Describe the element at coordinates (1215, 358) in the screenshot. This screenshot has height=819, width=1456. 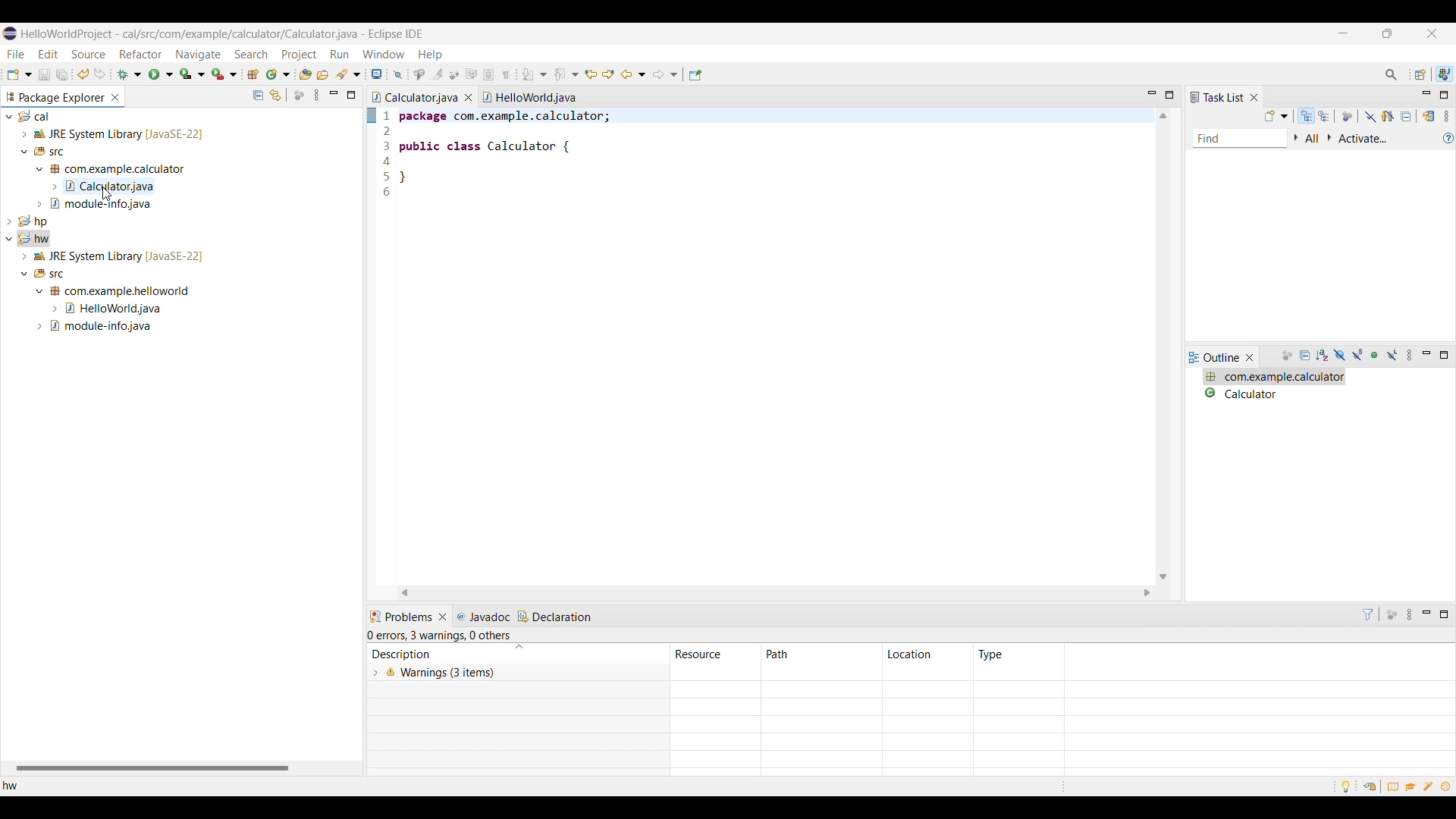
I see `outline` at that location.